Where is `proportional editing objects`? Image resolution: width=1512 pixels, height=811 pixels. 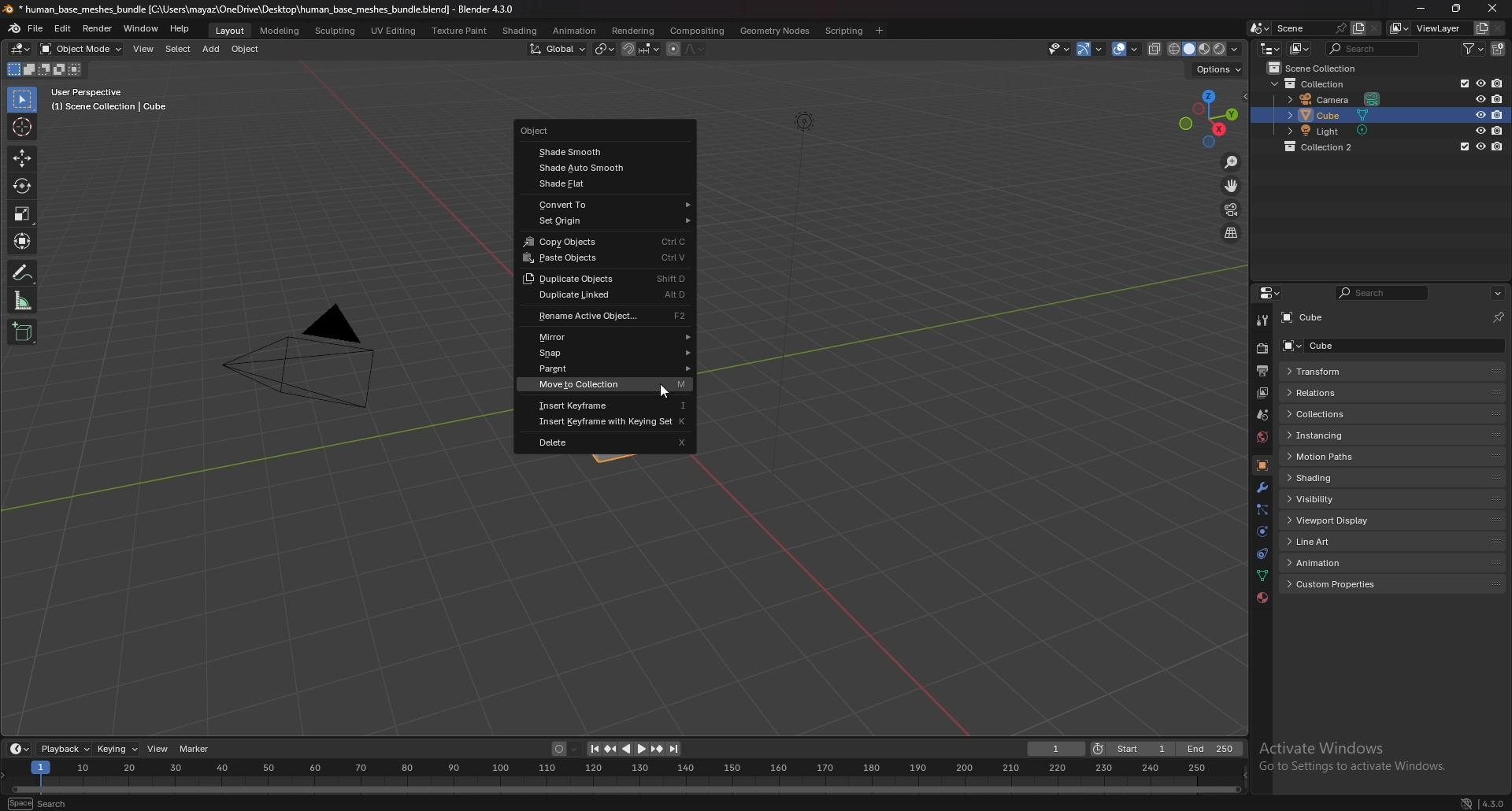 proportional editing objects is located at coordinates (687, 50).